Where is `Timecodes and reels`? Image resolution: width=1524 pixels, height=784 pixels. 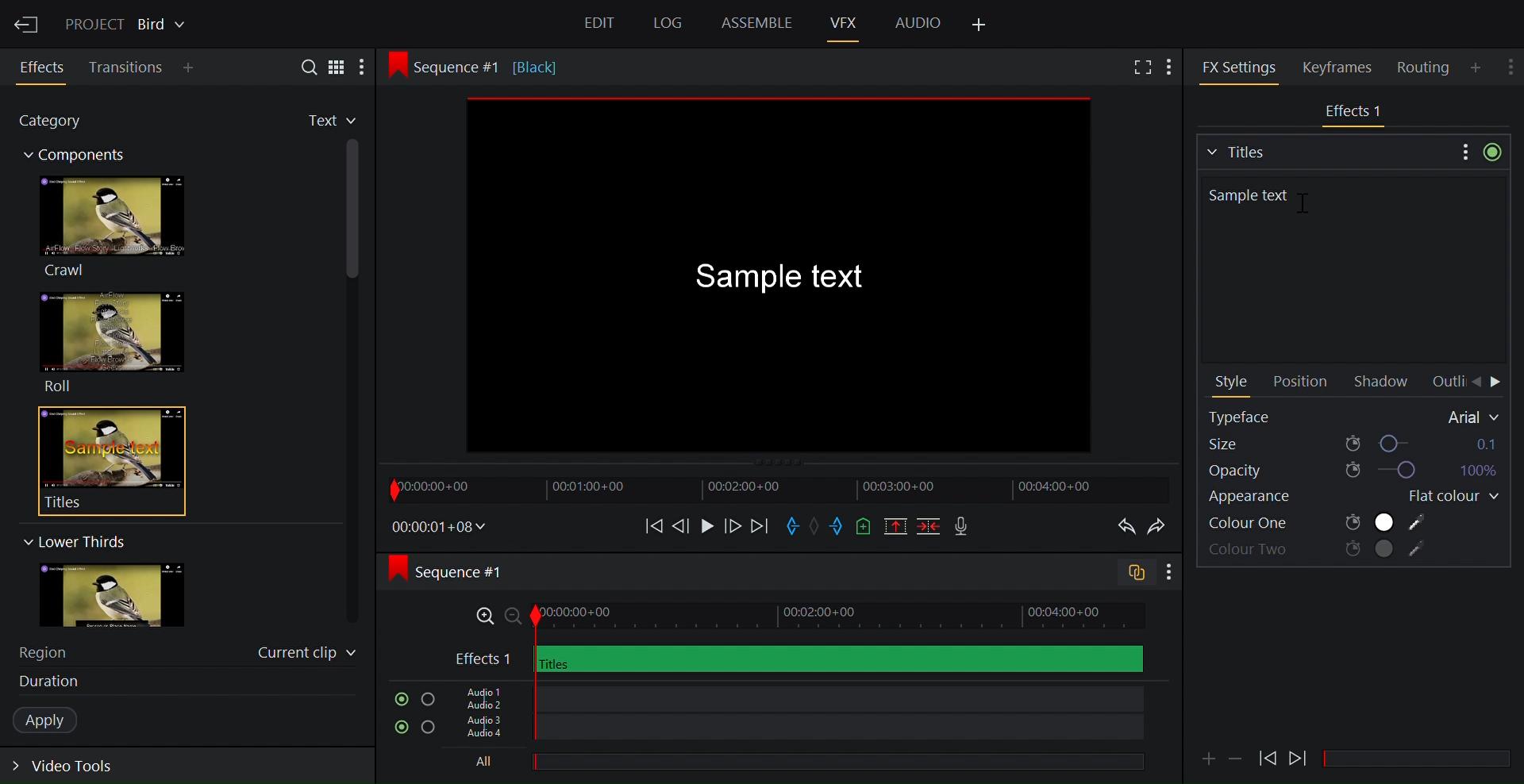 Timecodes and reels is located at coordinates (440, 527).